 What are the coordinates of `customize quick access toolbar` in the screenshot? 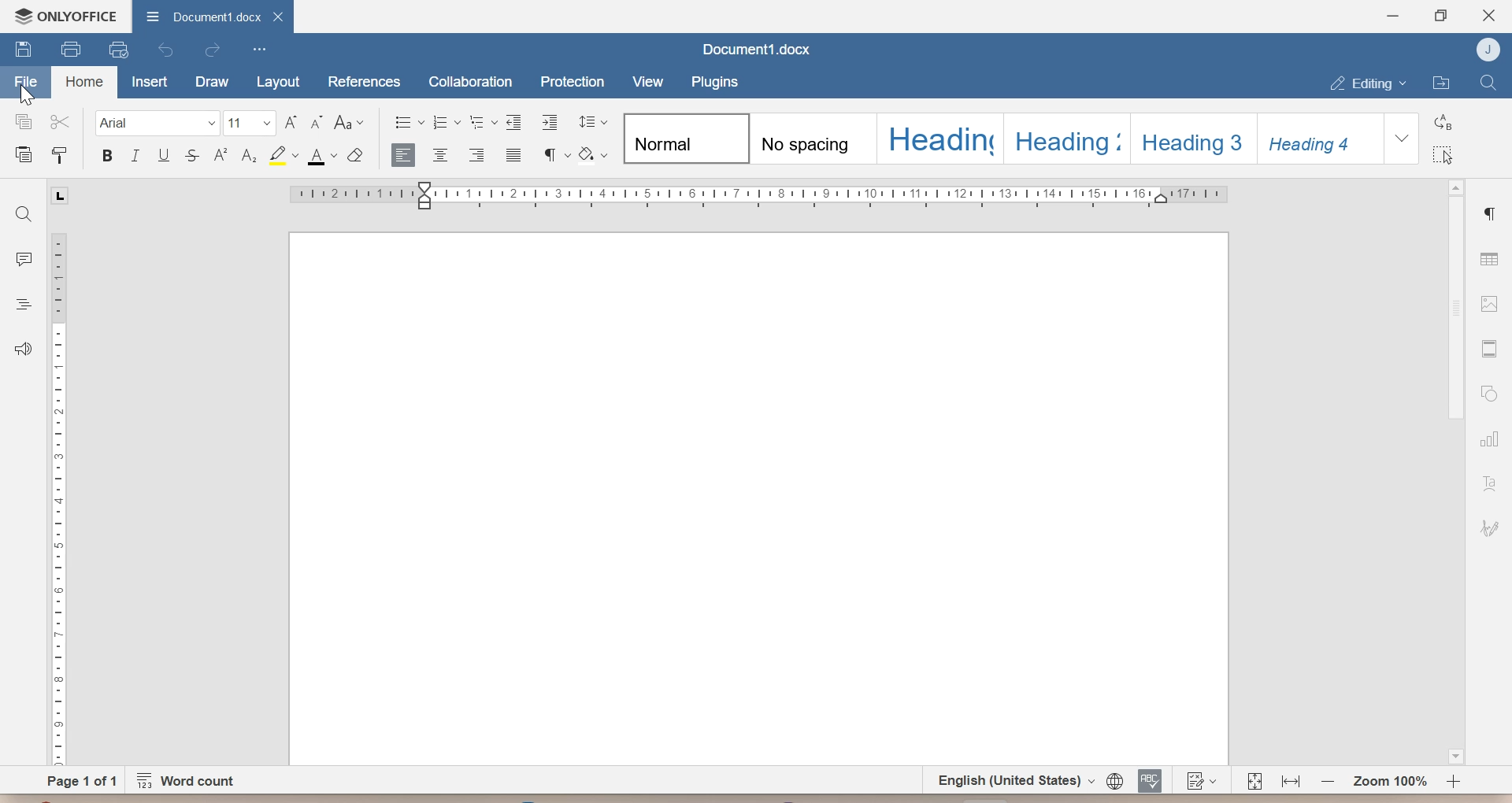 It's located at (259, 50).